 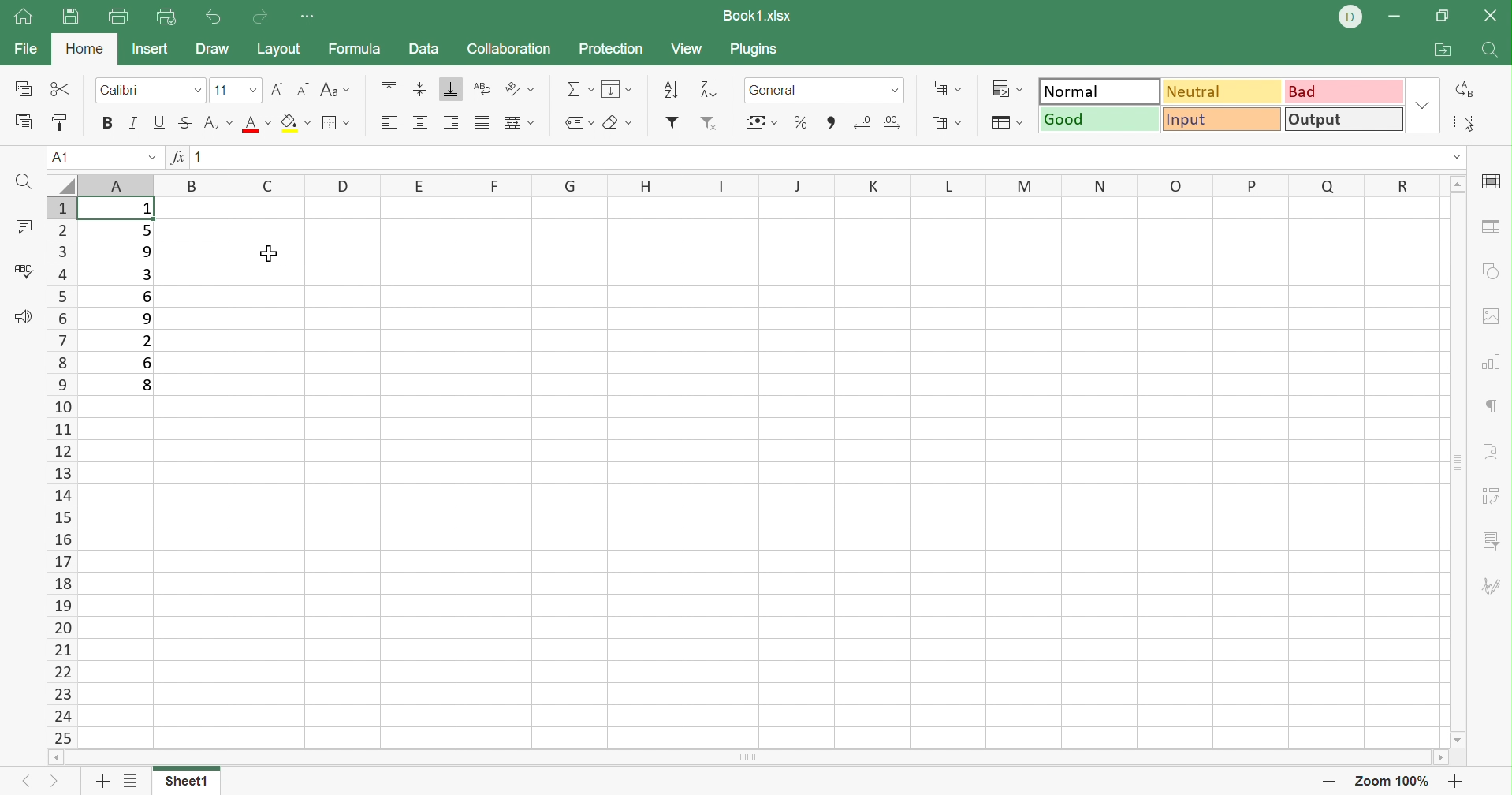 I want to click on A1, so click(x=64, y=159).